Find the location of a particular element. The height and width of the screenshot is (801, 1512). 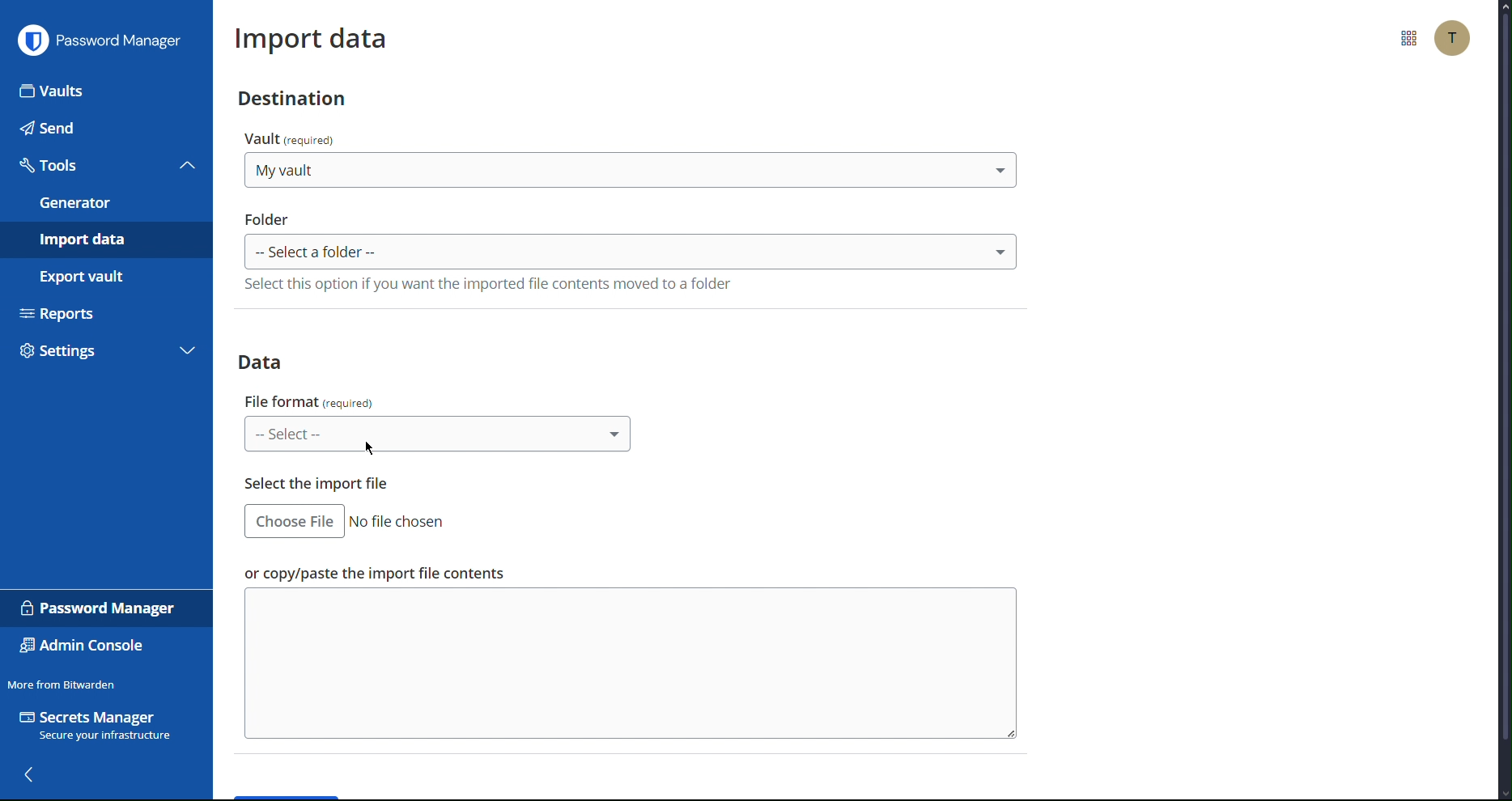

Settings is located at coordinates (87, 354).